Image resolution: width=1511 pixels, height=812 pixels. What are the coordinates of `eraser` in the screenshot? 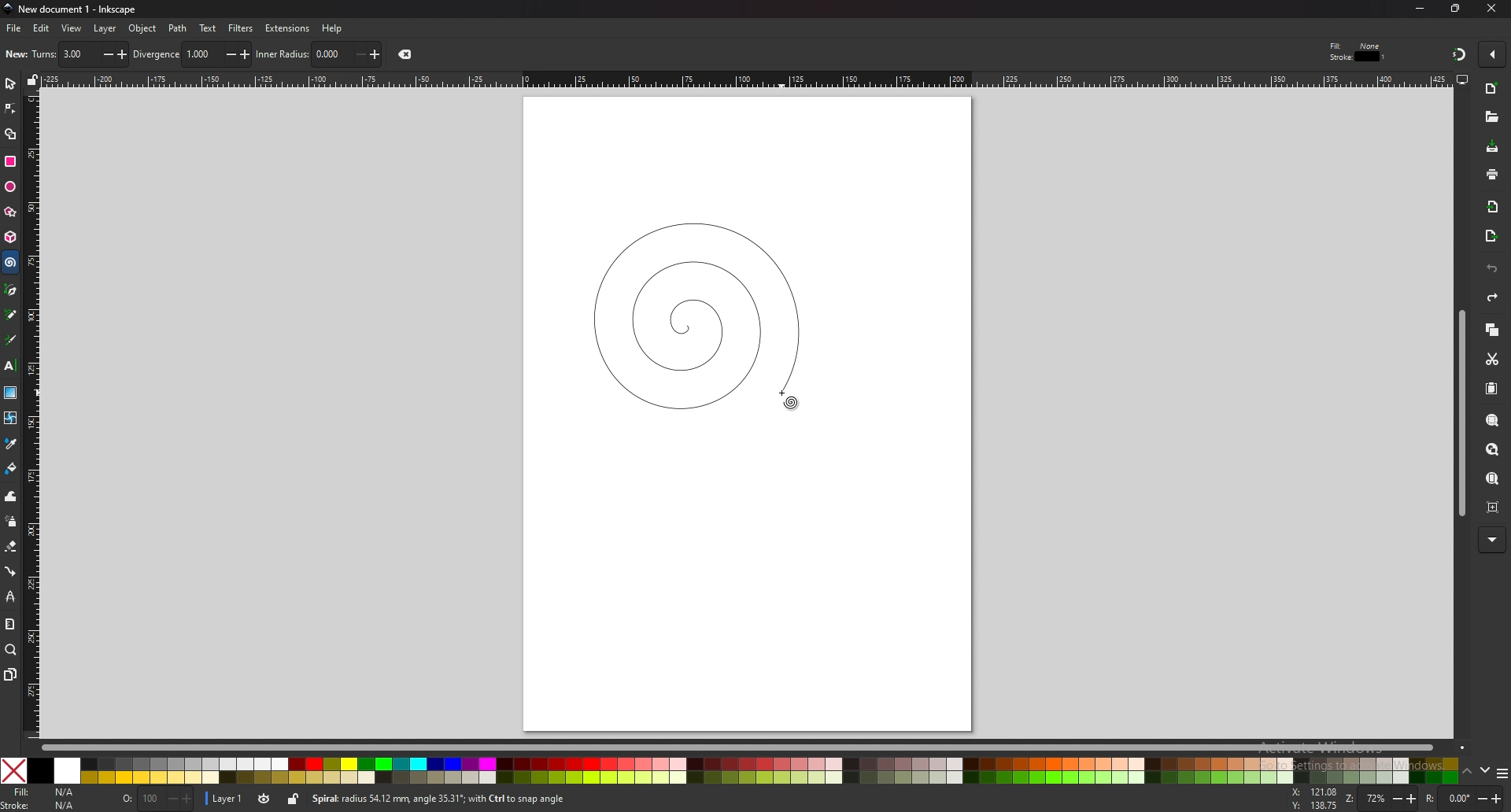 It's located at (11, 547).